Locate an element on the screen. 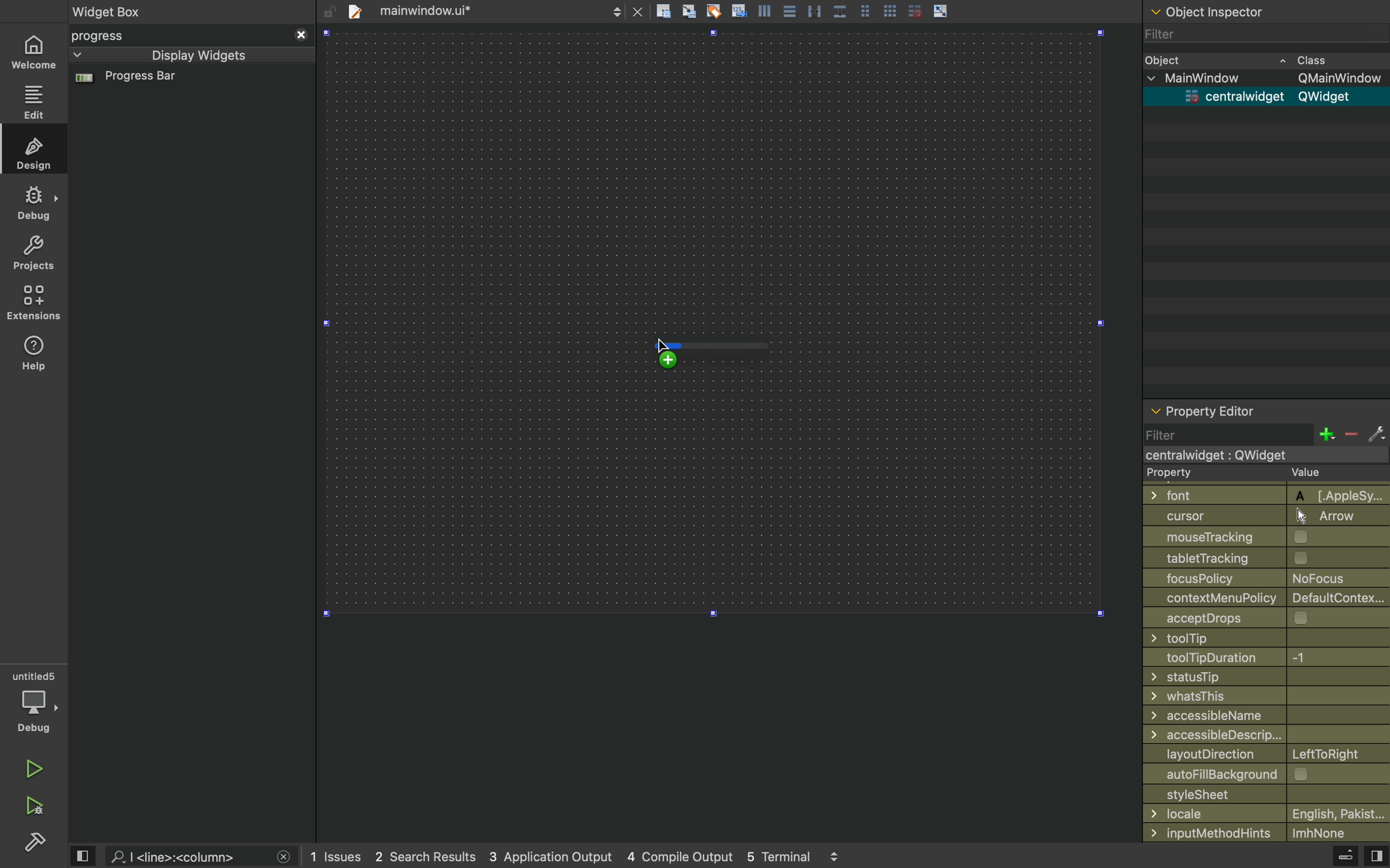 The width and height of the screenshot is (1390, 868). logs is located at coordinates (582, 857).